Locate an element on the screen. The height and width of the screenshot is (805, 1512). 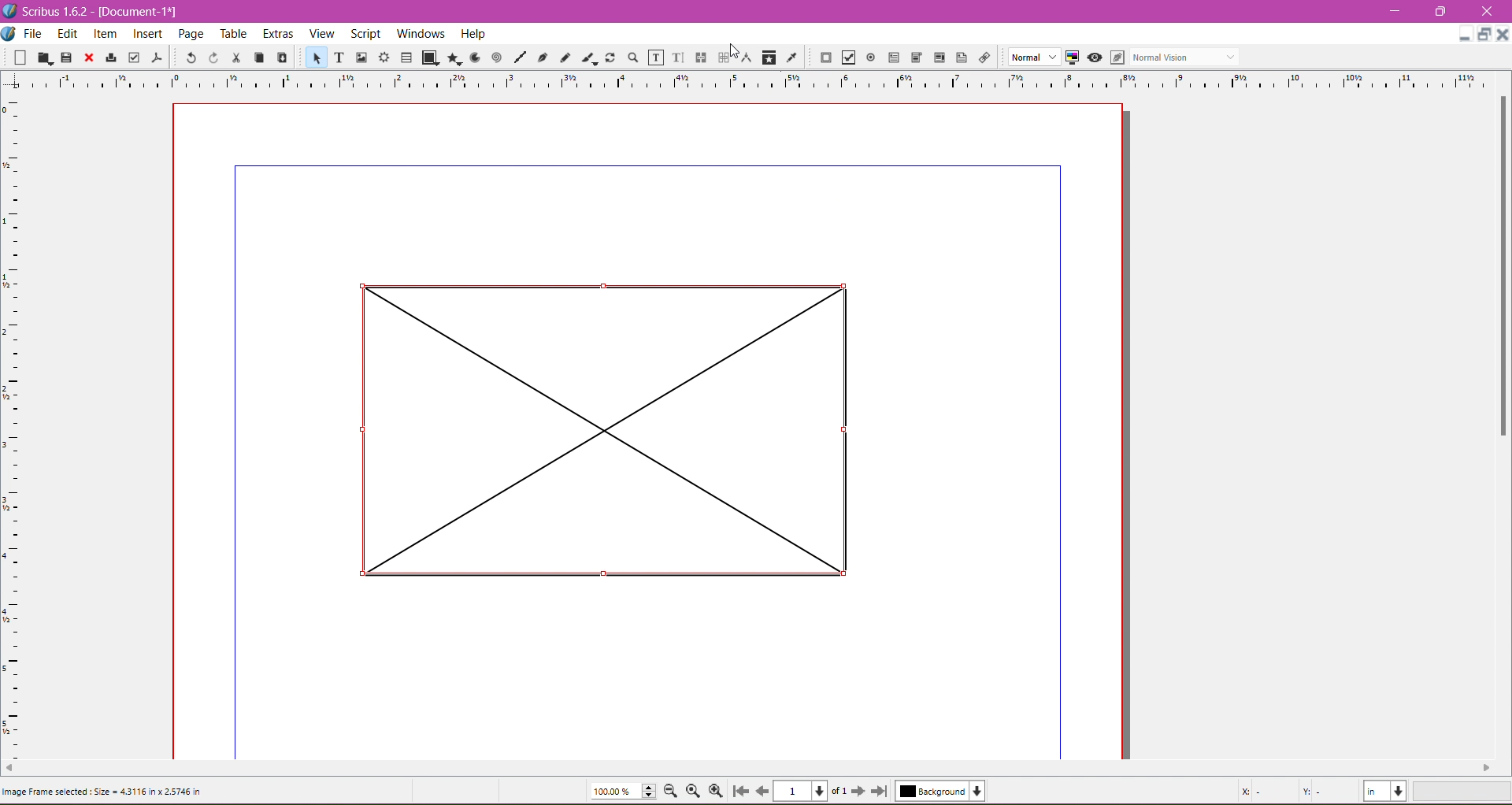
Rotate Item is located at coordinates (610, 57).